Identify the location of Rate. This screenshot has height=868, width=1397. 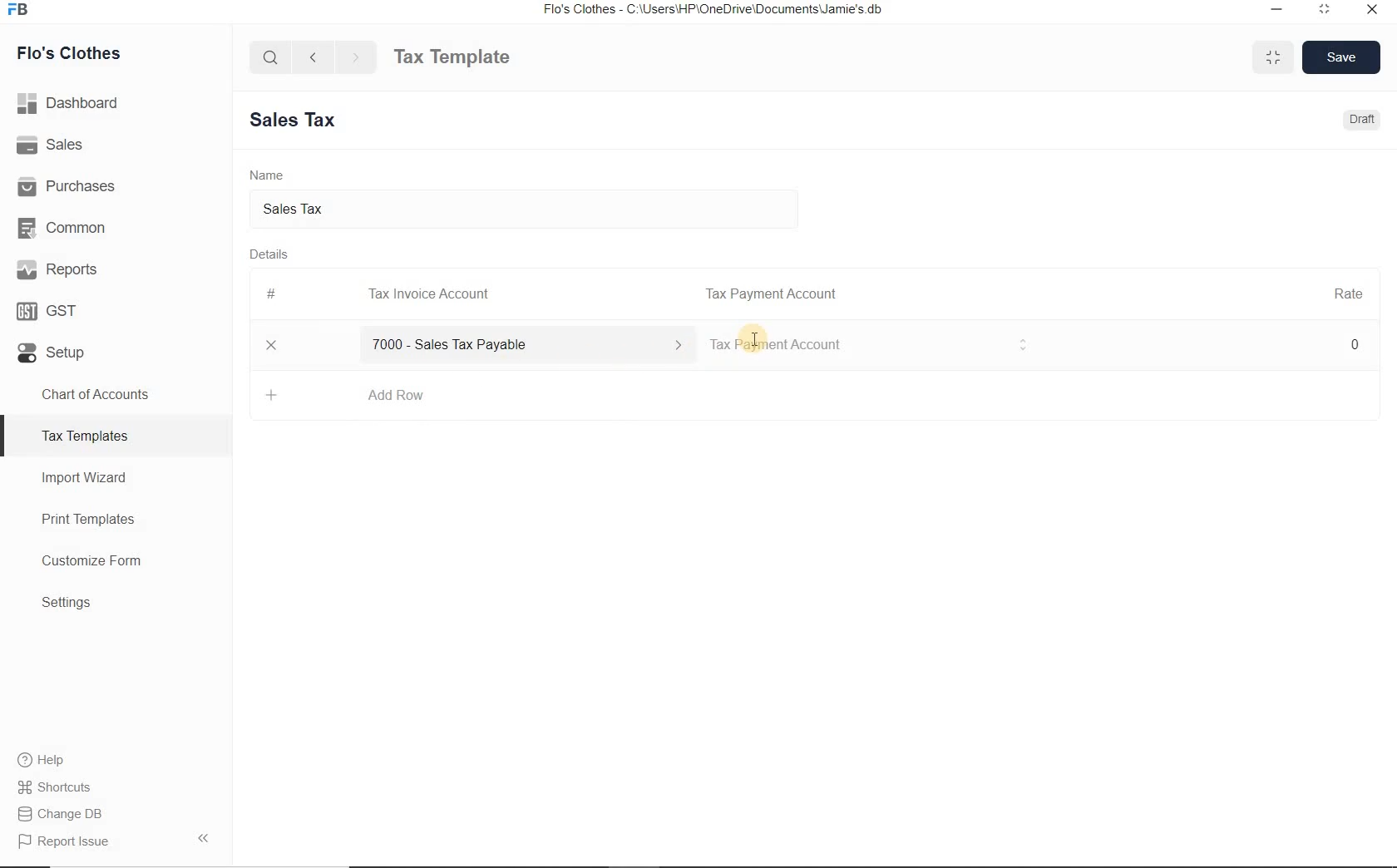
(1348, 292).